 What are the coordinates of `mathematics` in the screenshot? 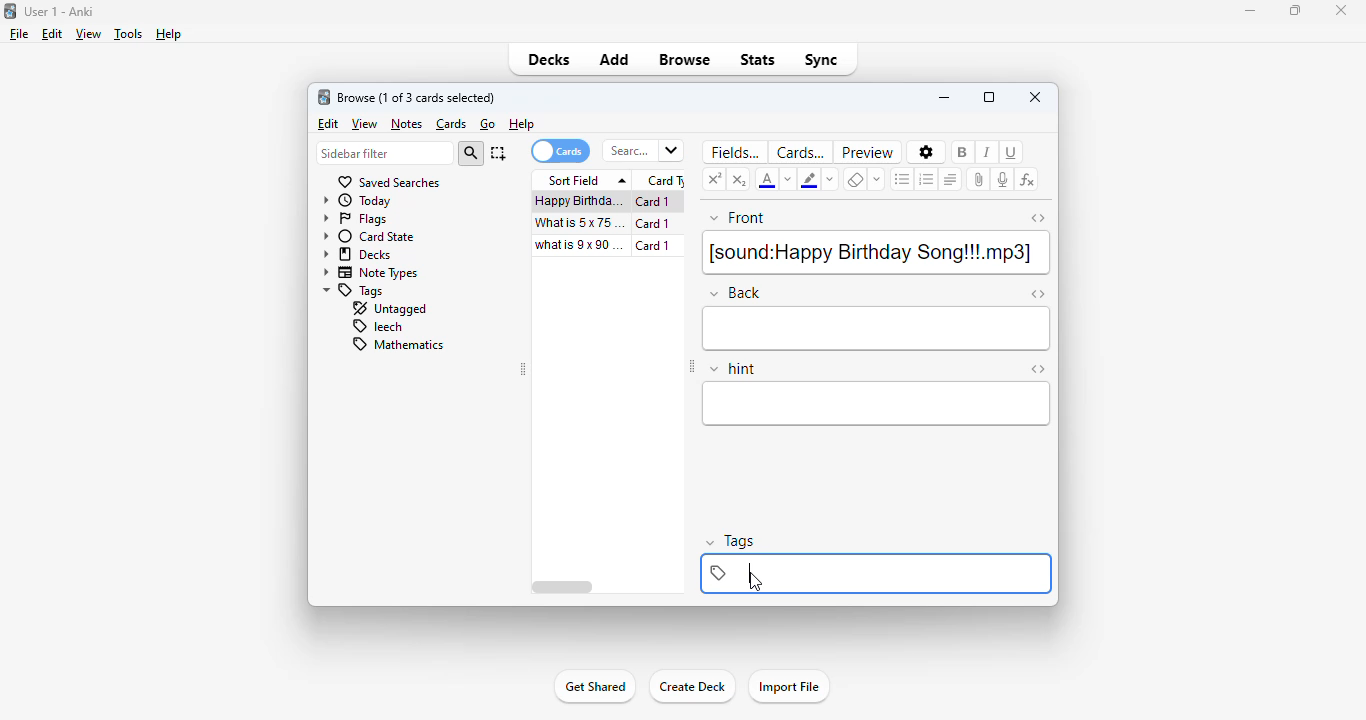 It's located at (396, 344).